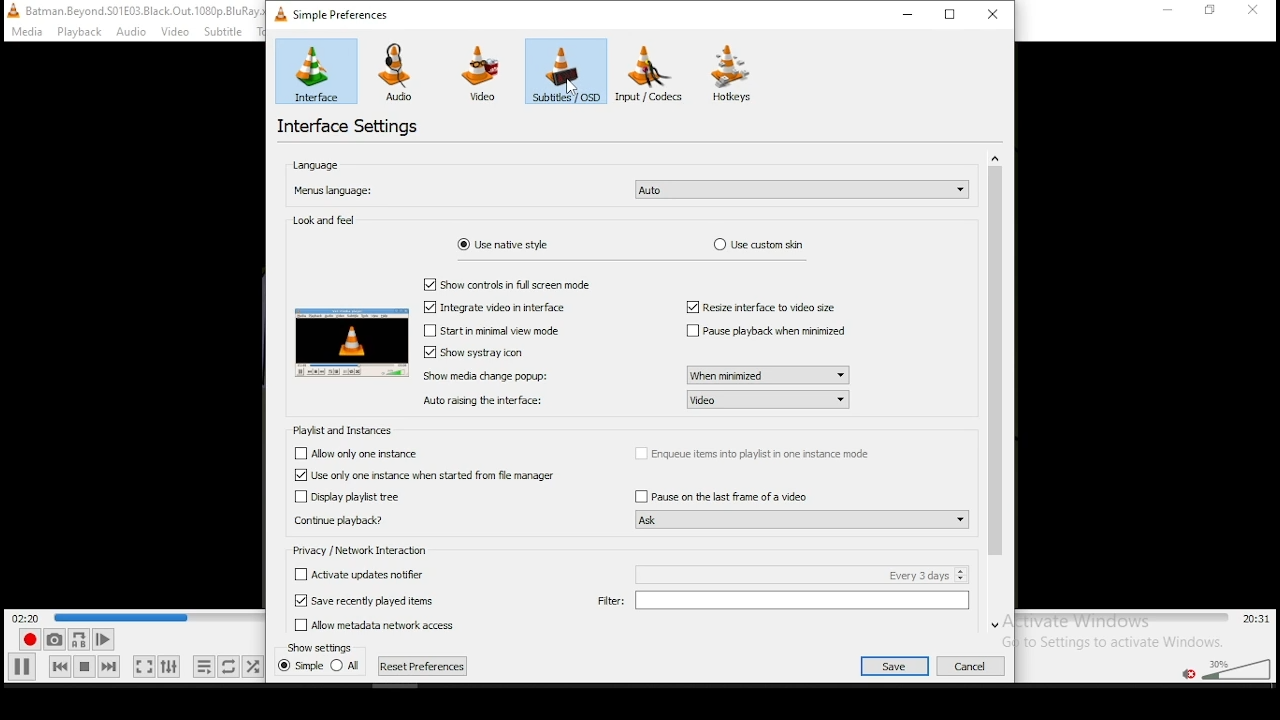  I want to click on language, so click(322, 165).